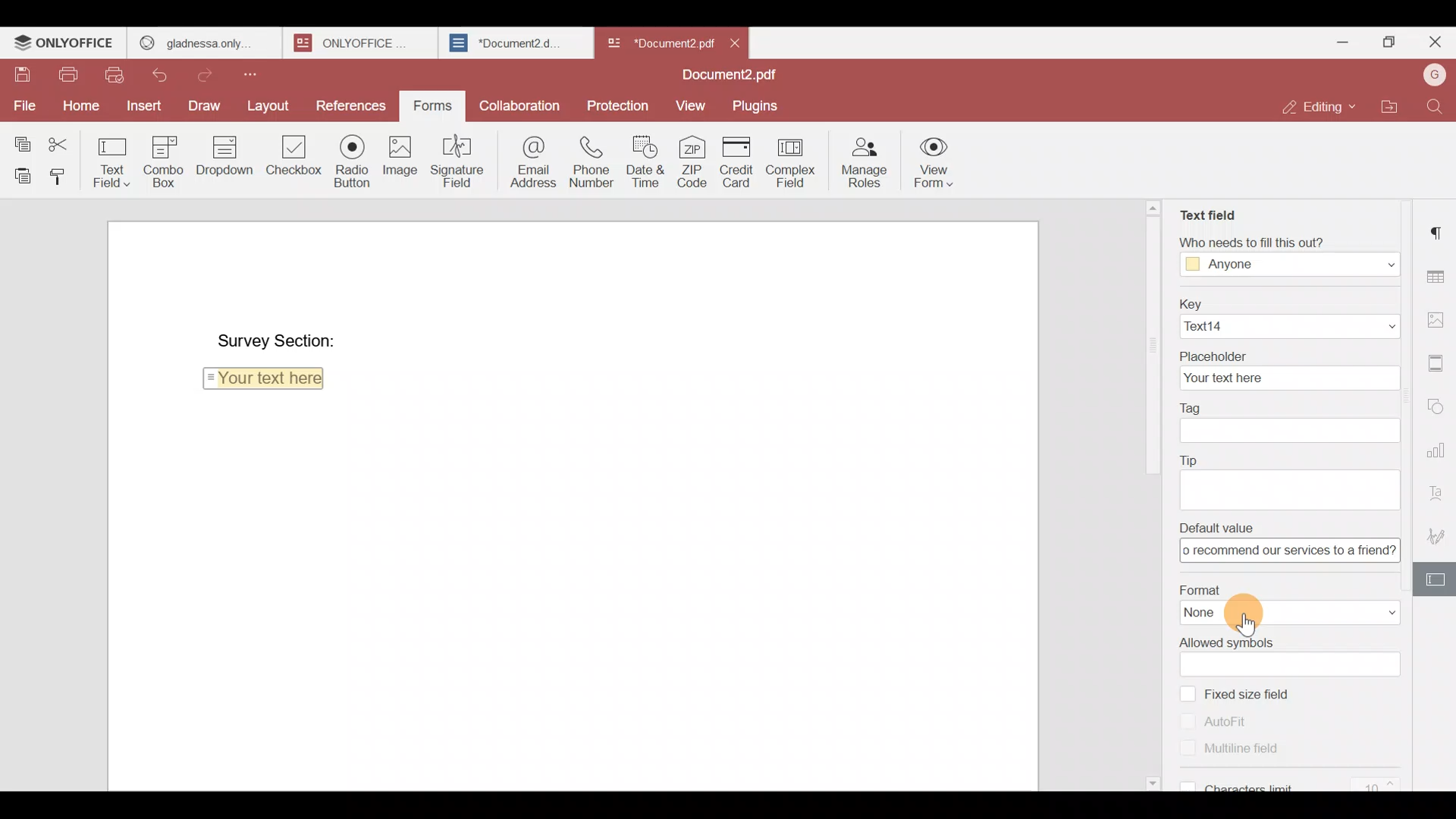 This screenshot has width=1456, height=819. What do you see at coordinates (1288, 664) in the screenshot?
I see `text box` at bounding box center [1288, 664].